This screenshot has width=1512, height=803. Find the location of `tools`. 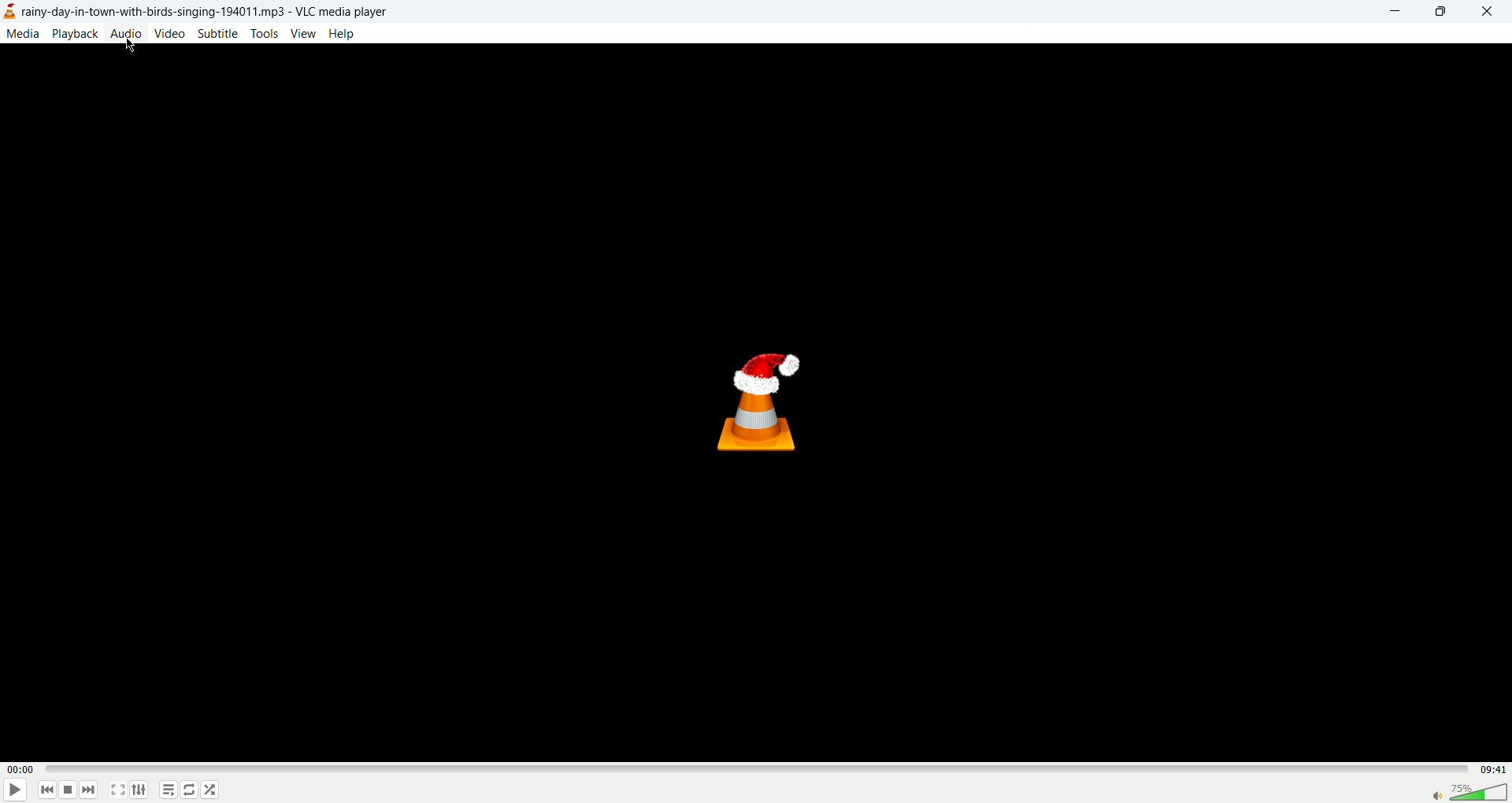

tools is located at coordinates (264, 32).